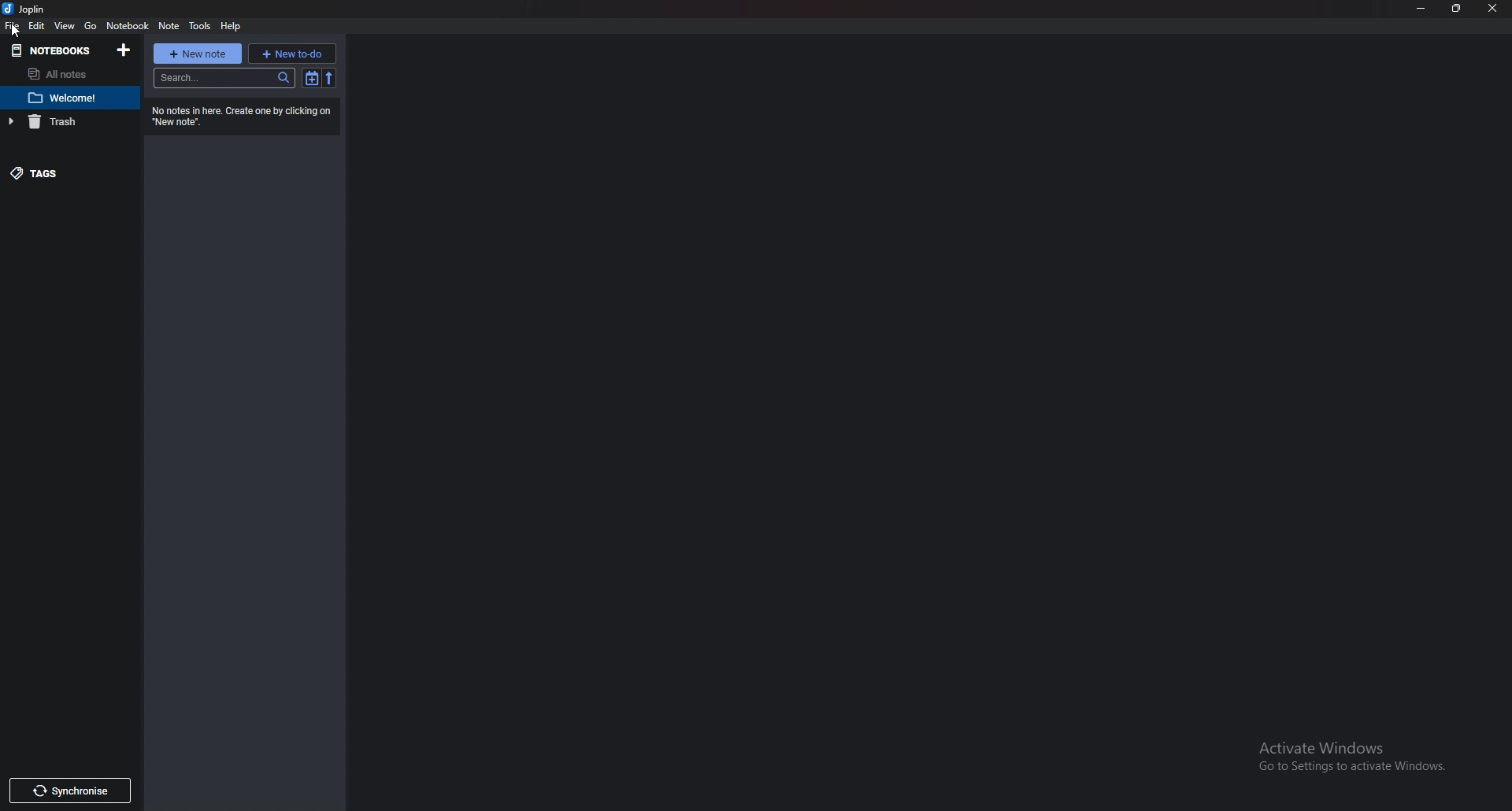 The image size is (1512, 811). Describe the element at coordinates (57, 173) in the screenshot. I see `Tags` at that location.